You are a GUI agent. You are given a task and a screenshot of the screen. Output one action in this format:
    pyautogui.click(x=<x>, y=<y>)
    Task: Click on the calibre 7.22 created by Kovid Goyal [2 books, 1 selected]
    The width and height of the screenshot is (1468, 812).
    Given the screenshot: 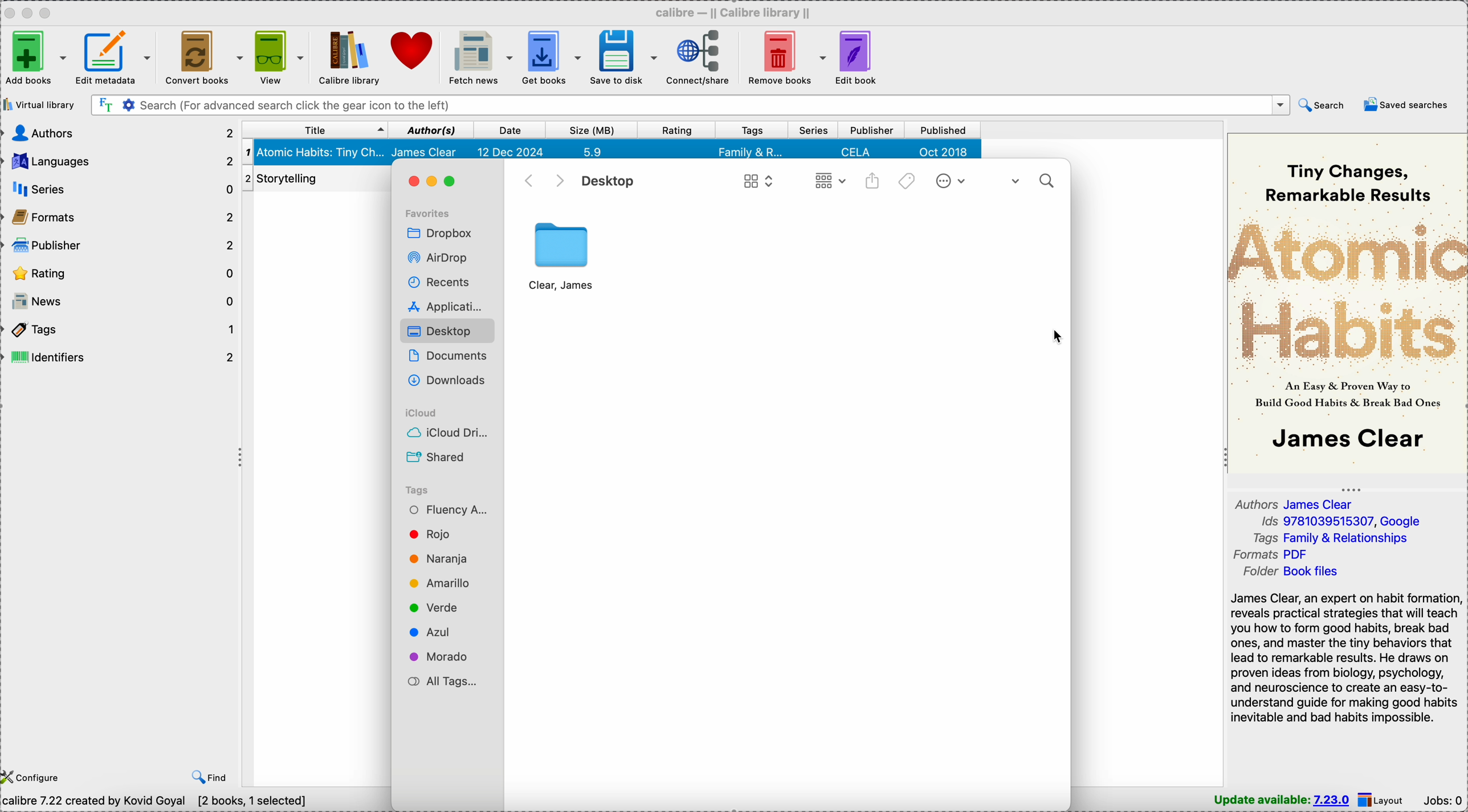 What is the action you would take?
    pyautogui.click(x=154, y=802)
    